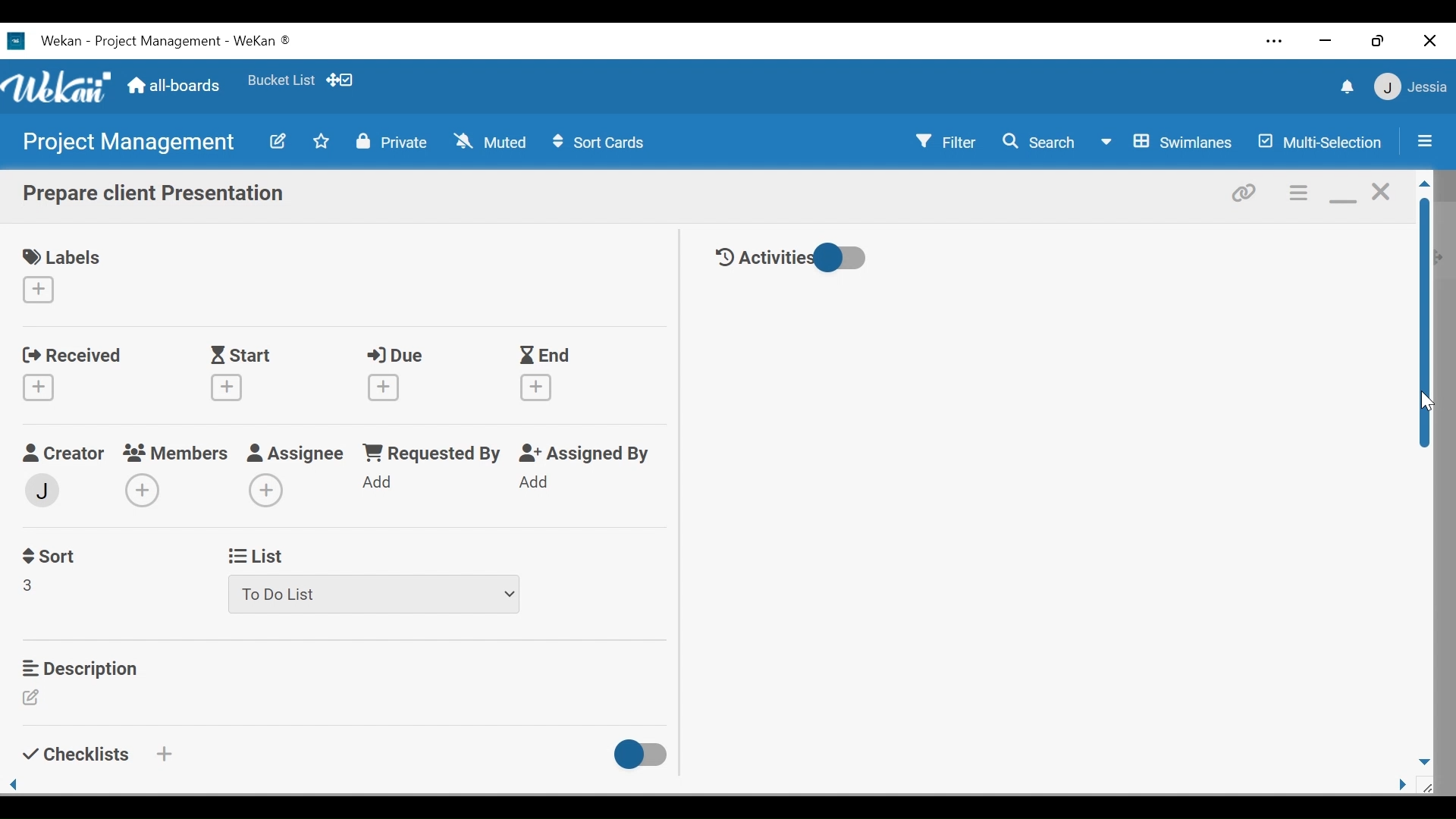 This screenshot has height=819, width=1456. I want to click on Card Name, so click(151, 196).